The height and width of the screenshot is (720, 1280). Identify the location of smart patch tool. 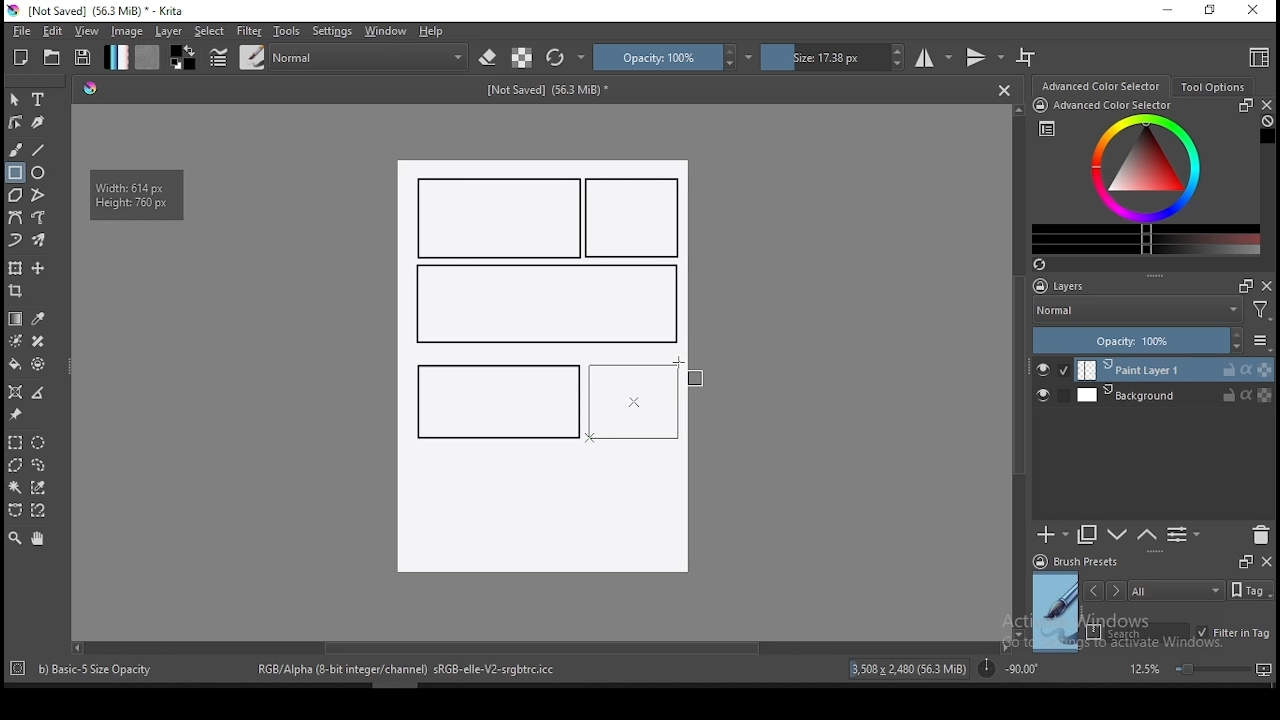
(38, 341).